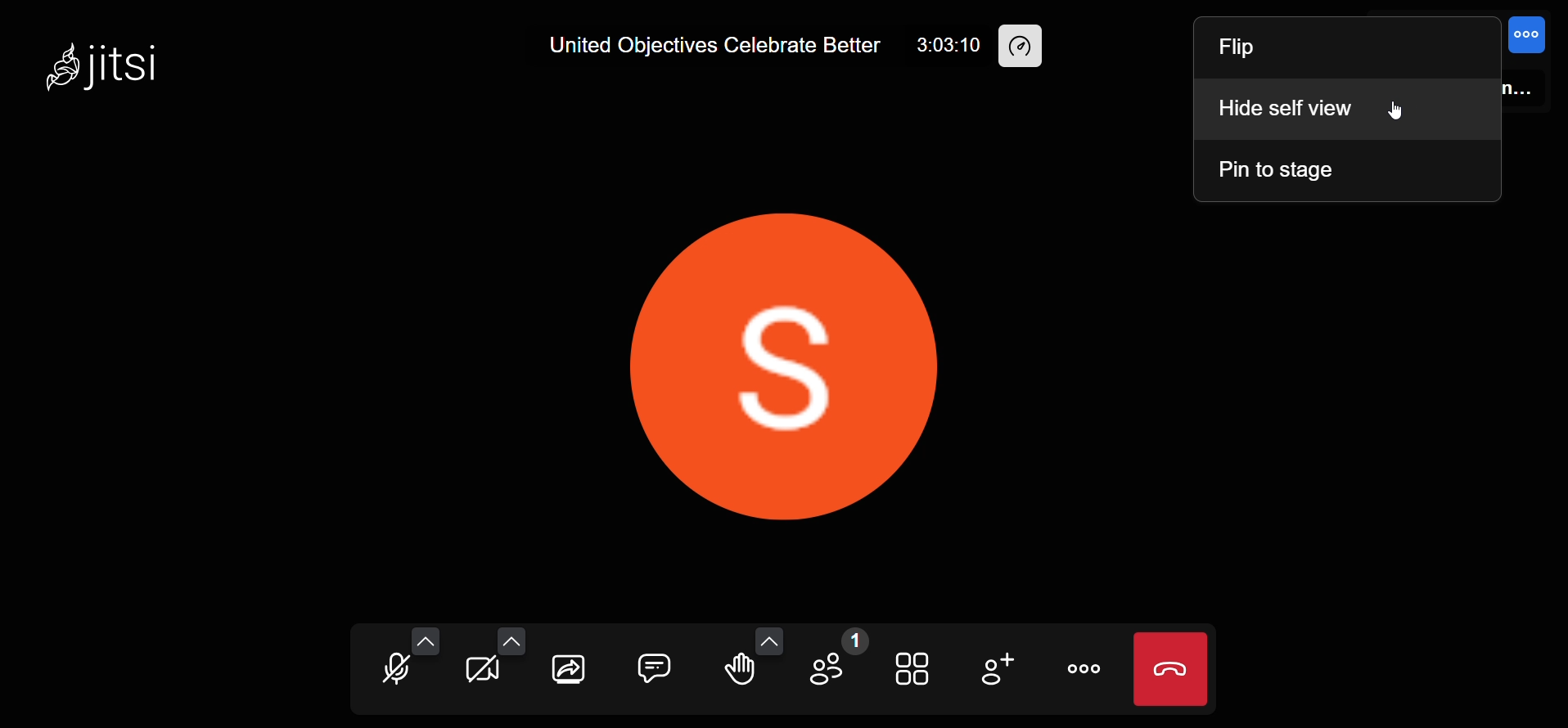 This screenshot has height=728, width=1568. Describe the element at coordinates (570, 669) in the screenshot. I see `screen share` at that location.